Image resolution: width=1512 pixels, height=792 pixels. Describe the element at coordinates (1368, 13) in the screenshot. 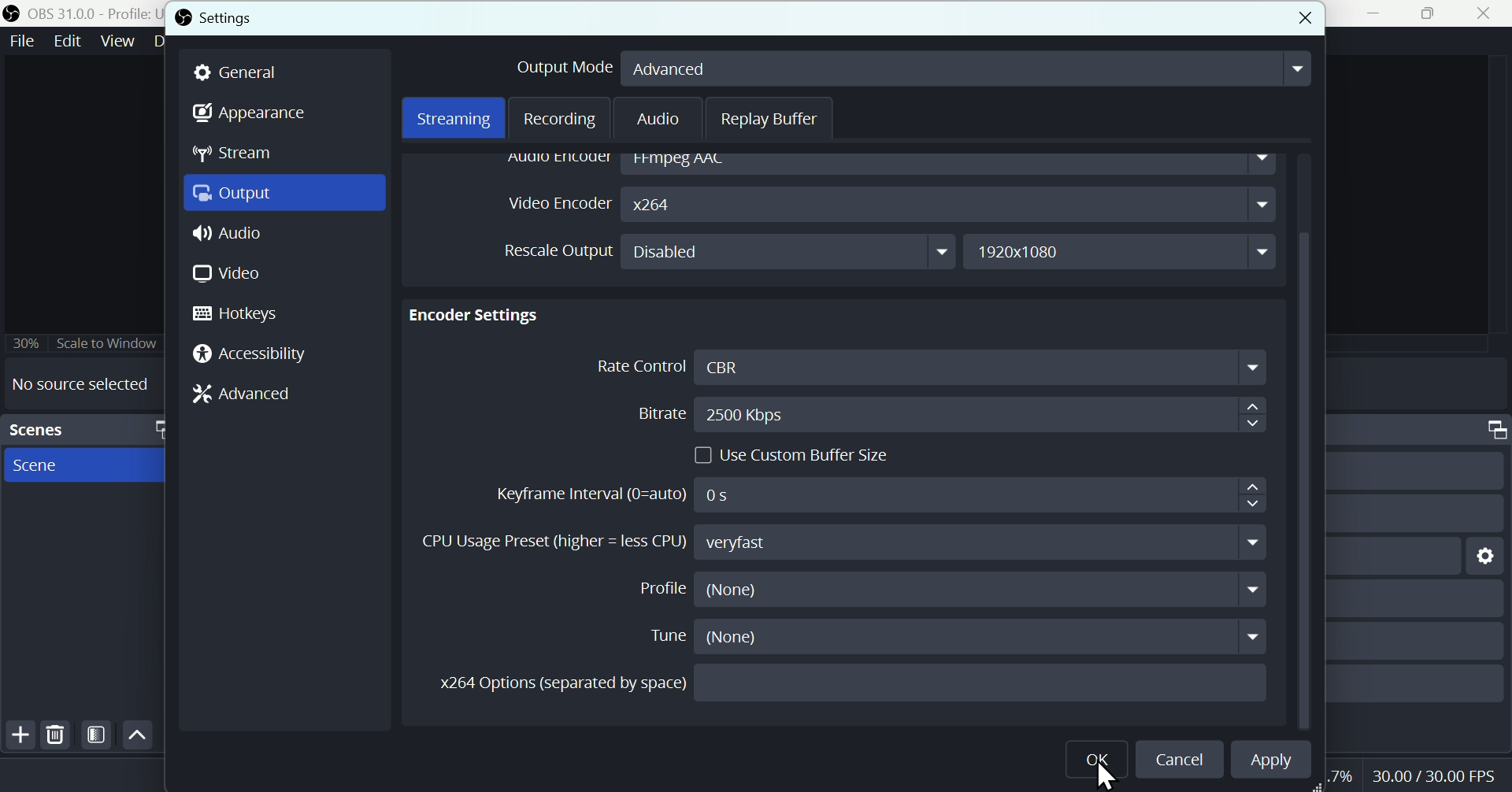

I see `minimise` at that location.